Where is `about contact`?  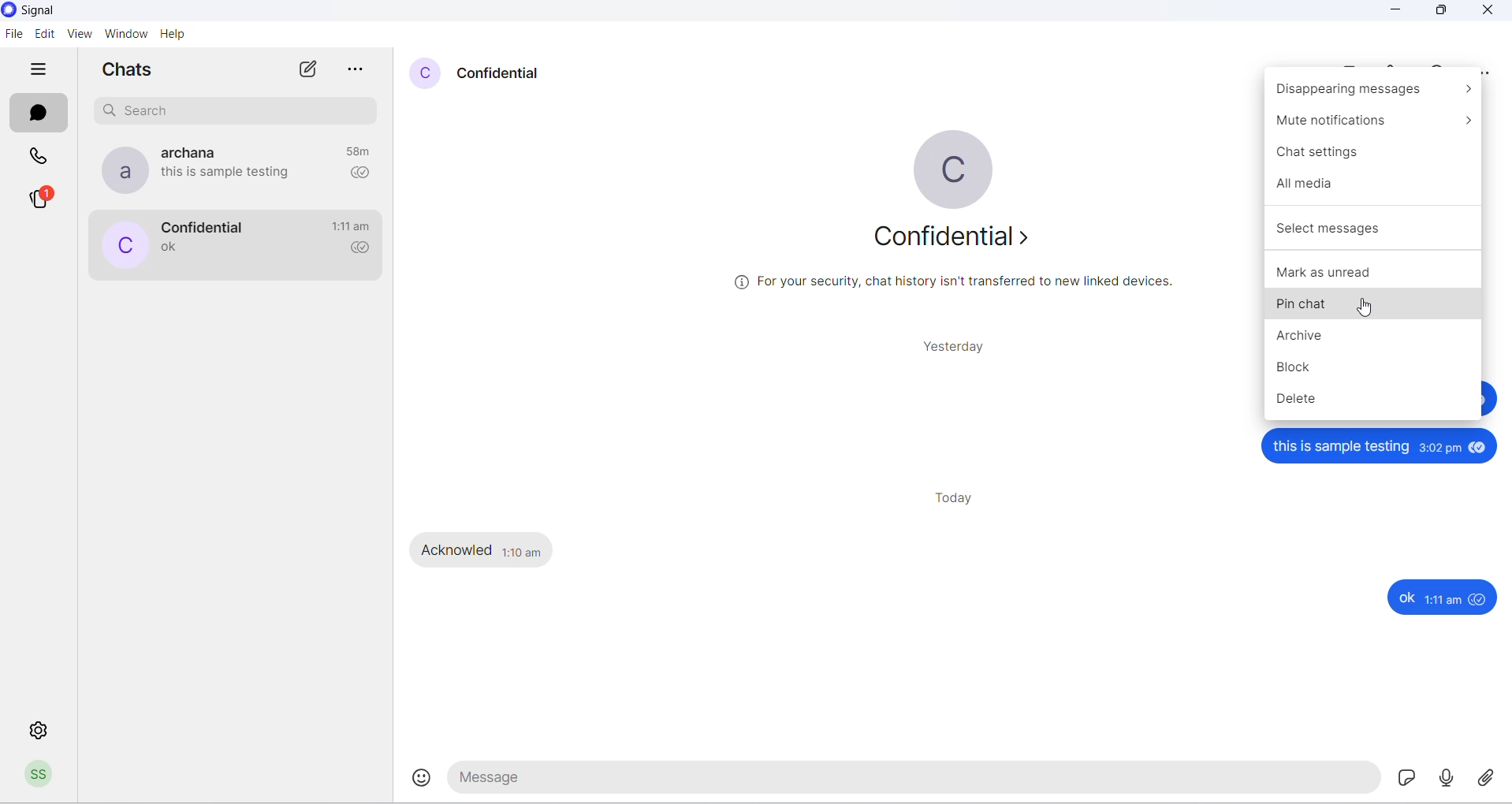 about contact is located at coordinates (957, 243).